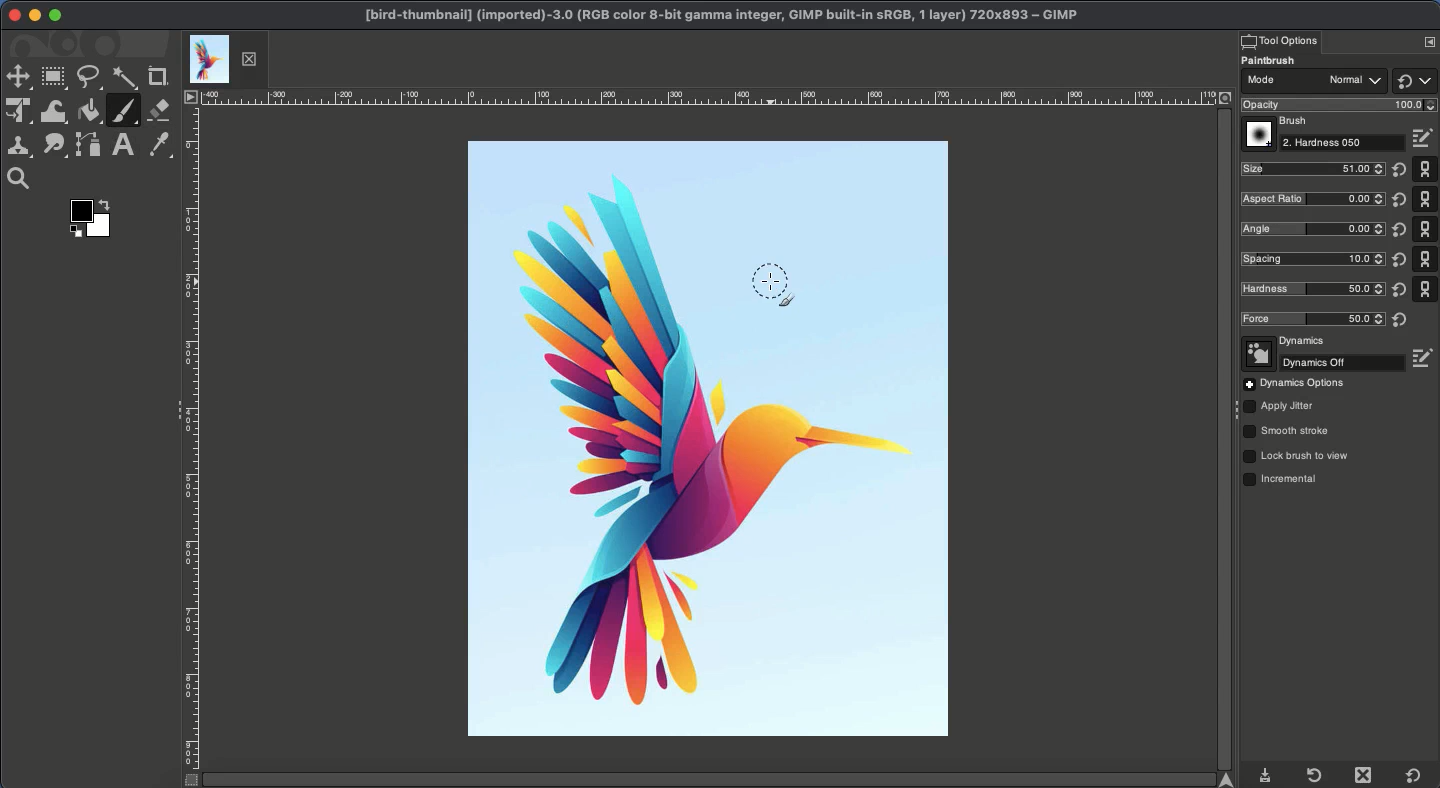 This screenshot has width=1440, height=788. What do you see at coordinates (1324, 363) in the screenshot?
I see `Off` at bounding box center [1324, 363].